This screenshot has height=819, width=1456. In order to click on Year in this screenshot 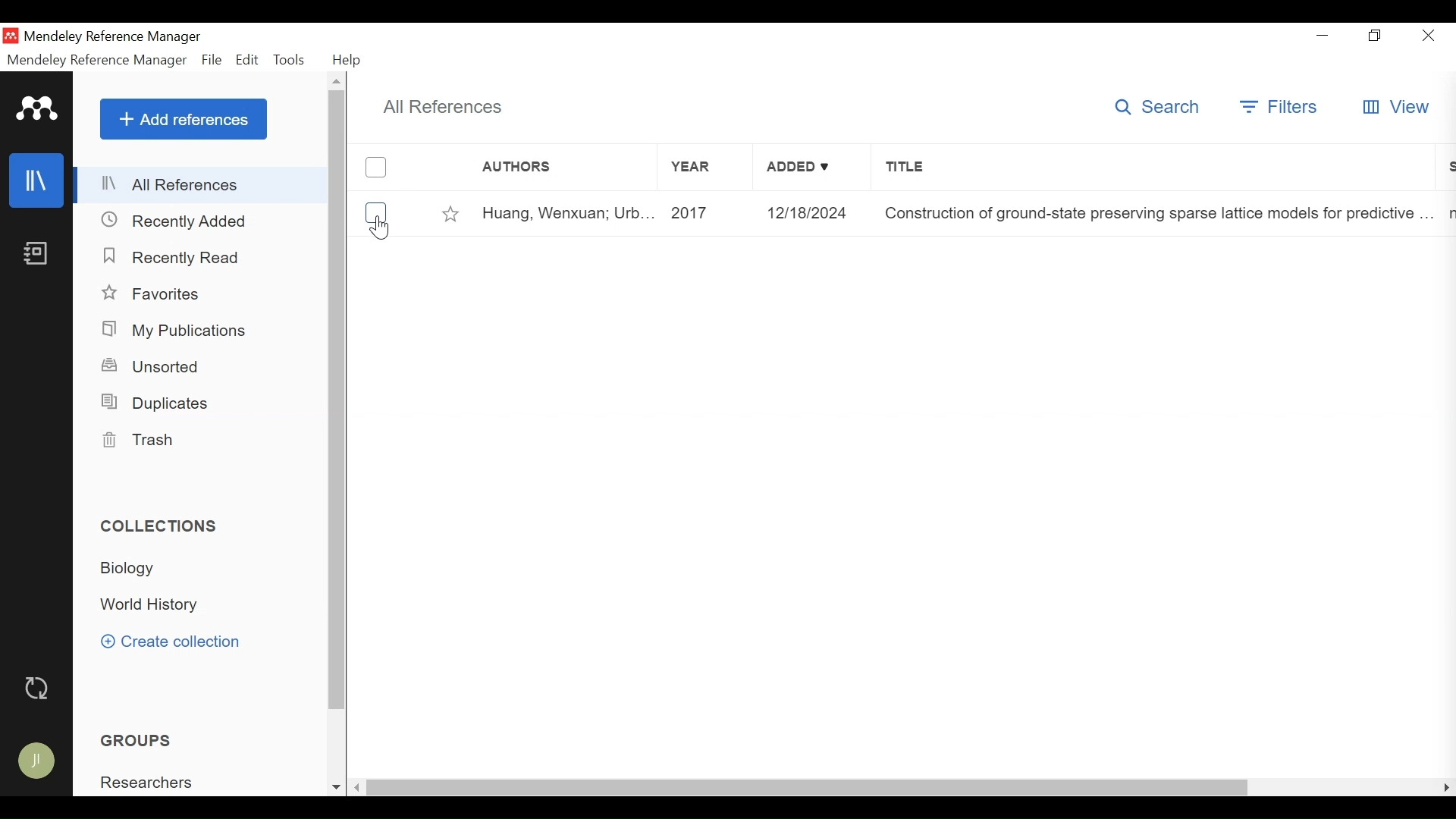, I will do `click(703, 169)`.